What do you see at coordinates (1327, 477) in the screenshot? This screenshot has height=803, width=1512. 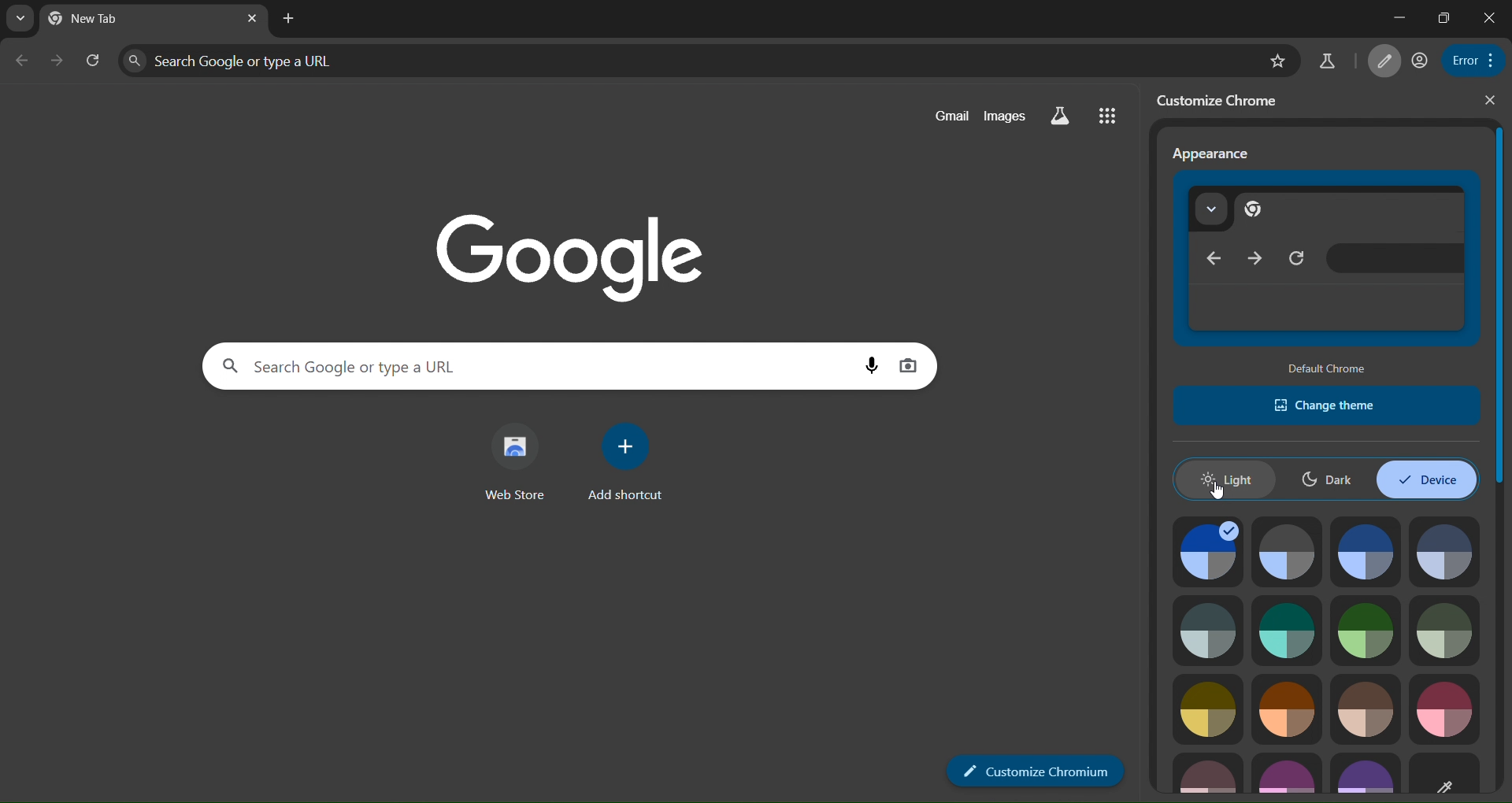 I see `dark` at bounding box center [1327, 477].